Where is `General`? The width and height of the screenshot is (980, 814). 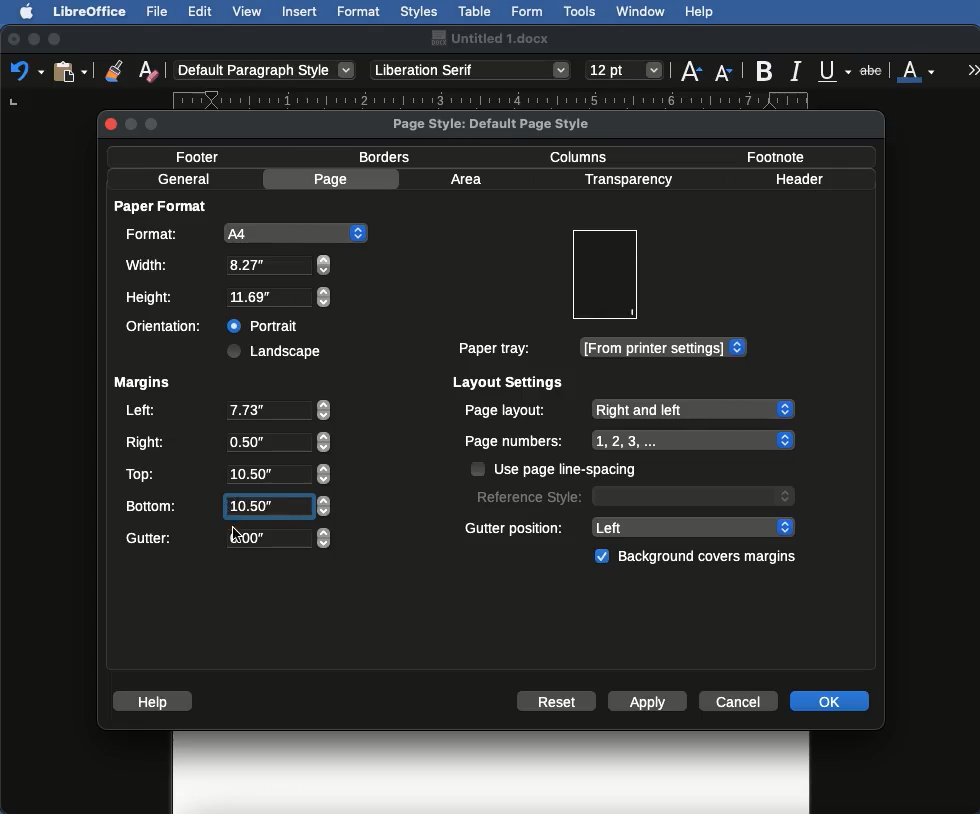
General is located at coordinates (184, 179).